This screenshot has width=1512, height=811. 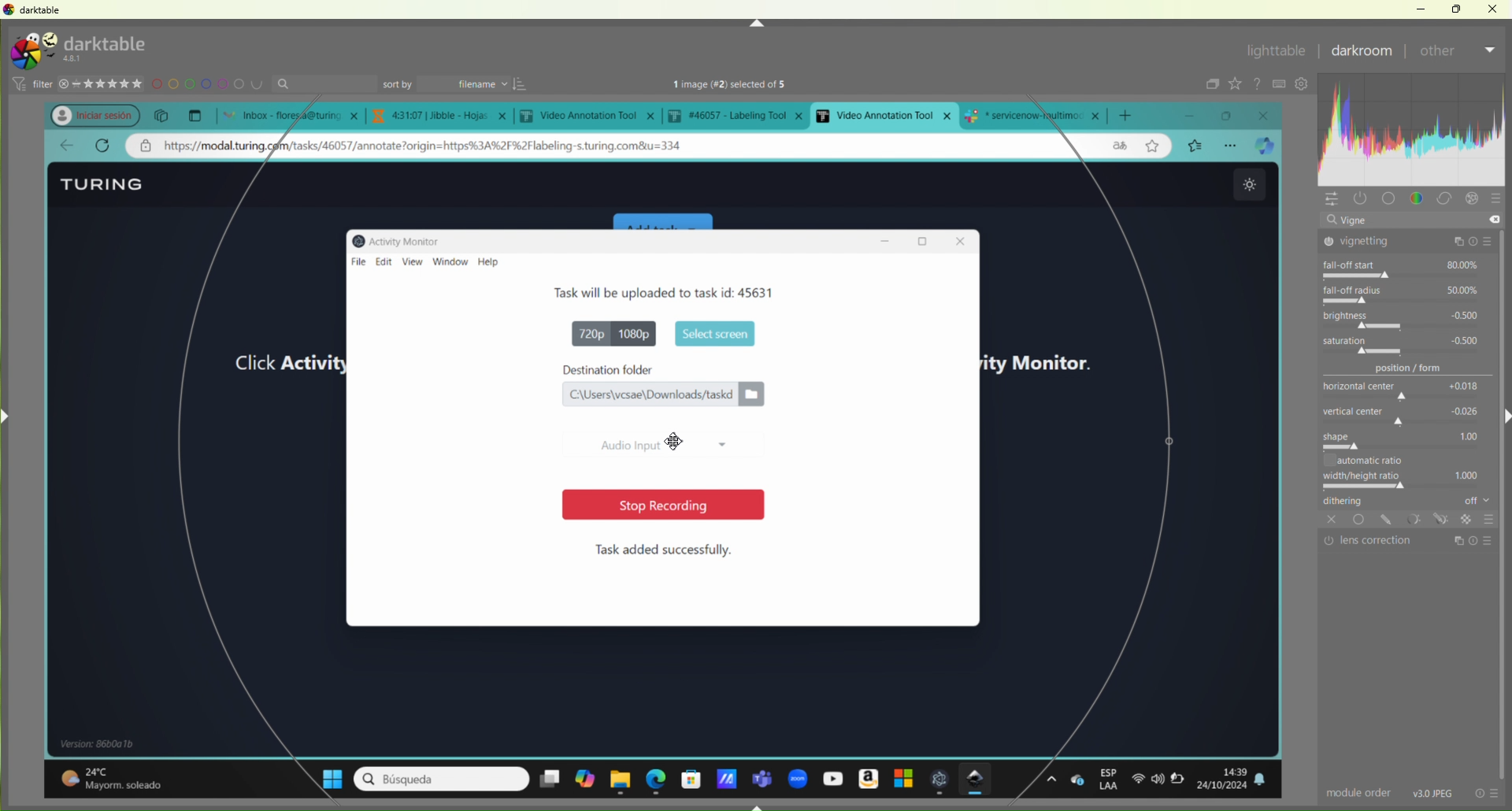 I want to click on tab, so click(x=591, y=117).